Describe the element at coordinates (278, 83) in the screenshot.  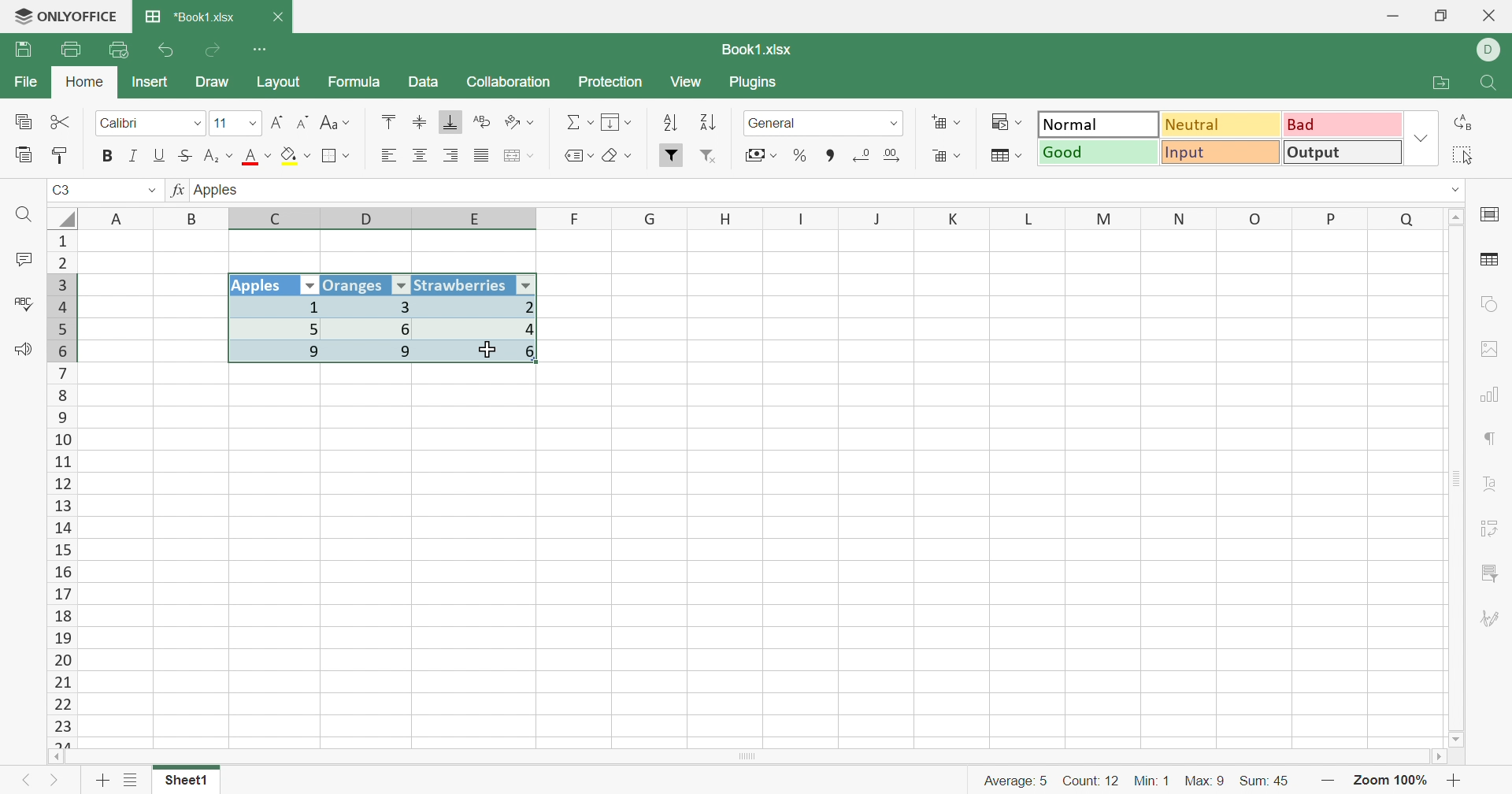
I see `Lyout` at that location.